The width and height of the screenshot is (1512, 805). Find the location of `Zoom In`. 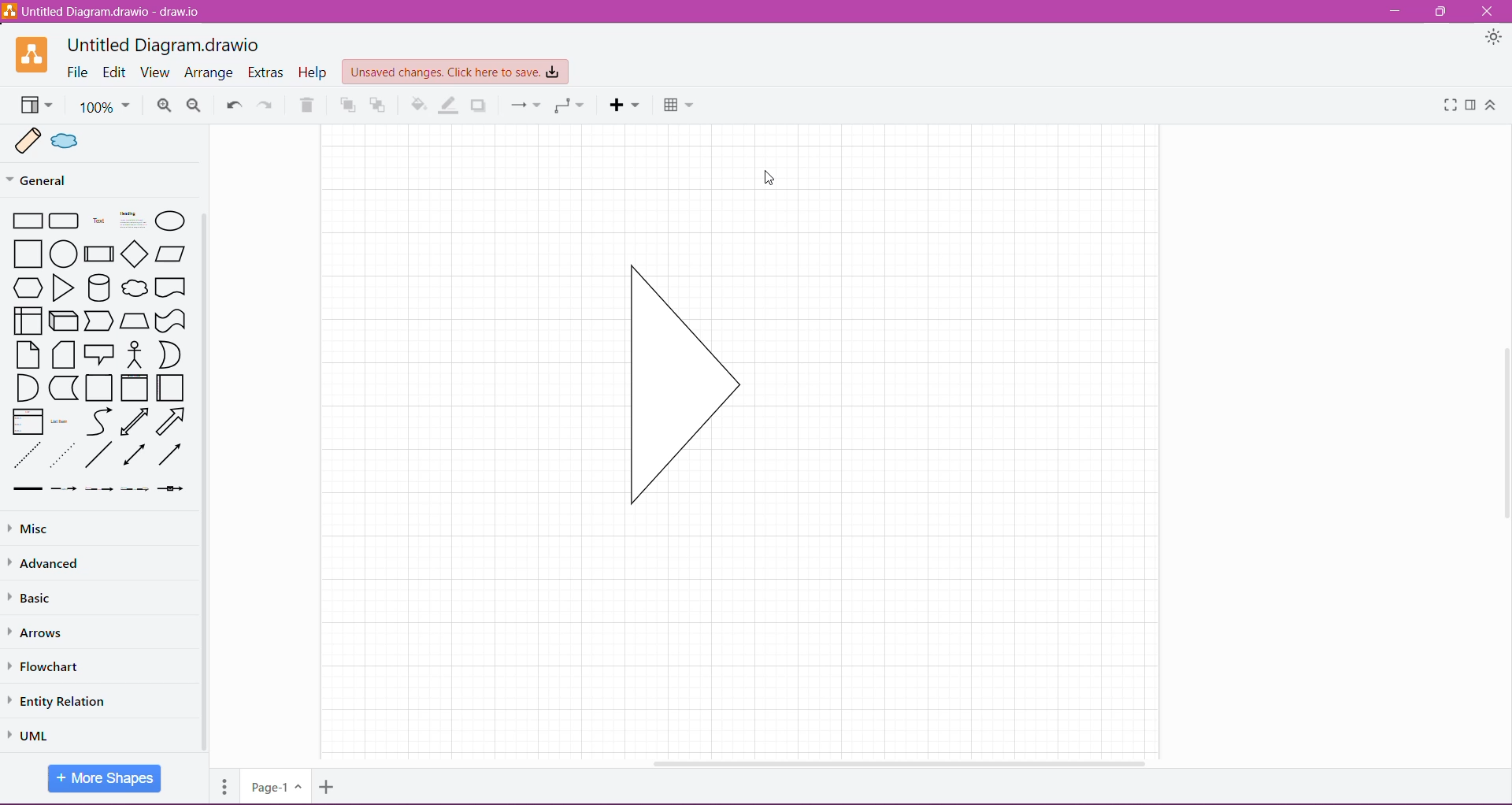

Zoom In is located at coordinates (164, 106).